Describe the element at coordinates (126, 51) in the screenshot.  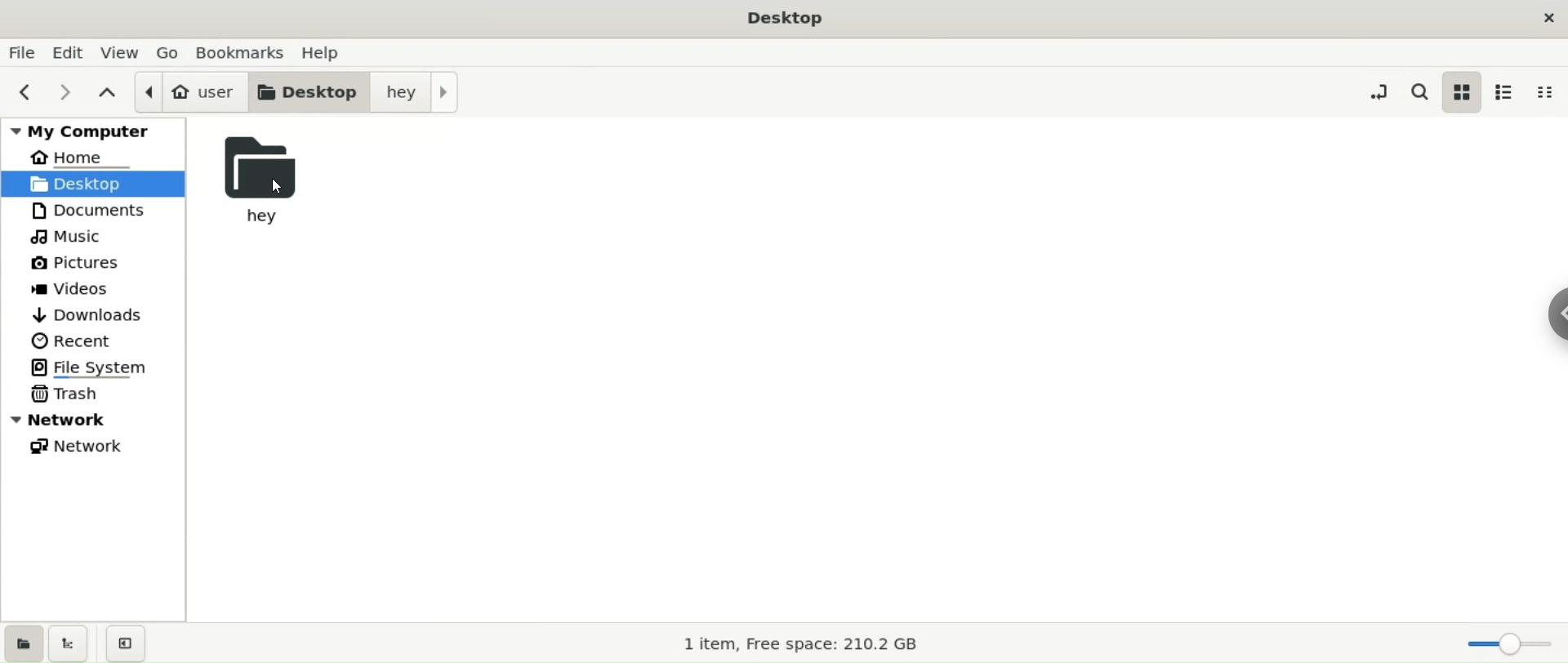
I see `view` at that location.